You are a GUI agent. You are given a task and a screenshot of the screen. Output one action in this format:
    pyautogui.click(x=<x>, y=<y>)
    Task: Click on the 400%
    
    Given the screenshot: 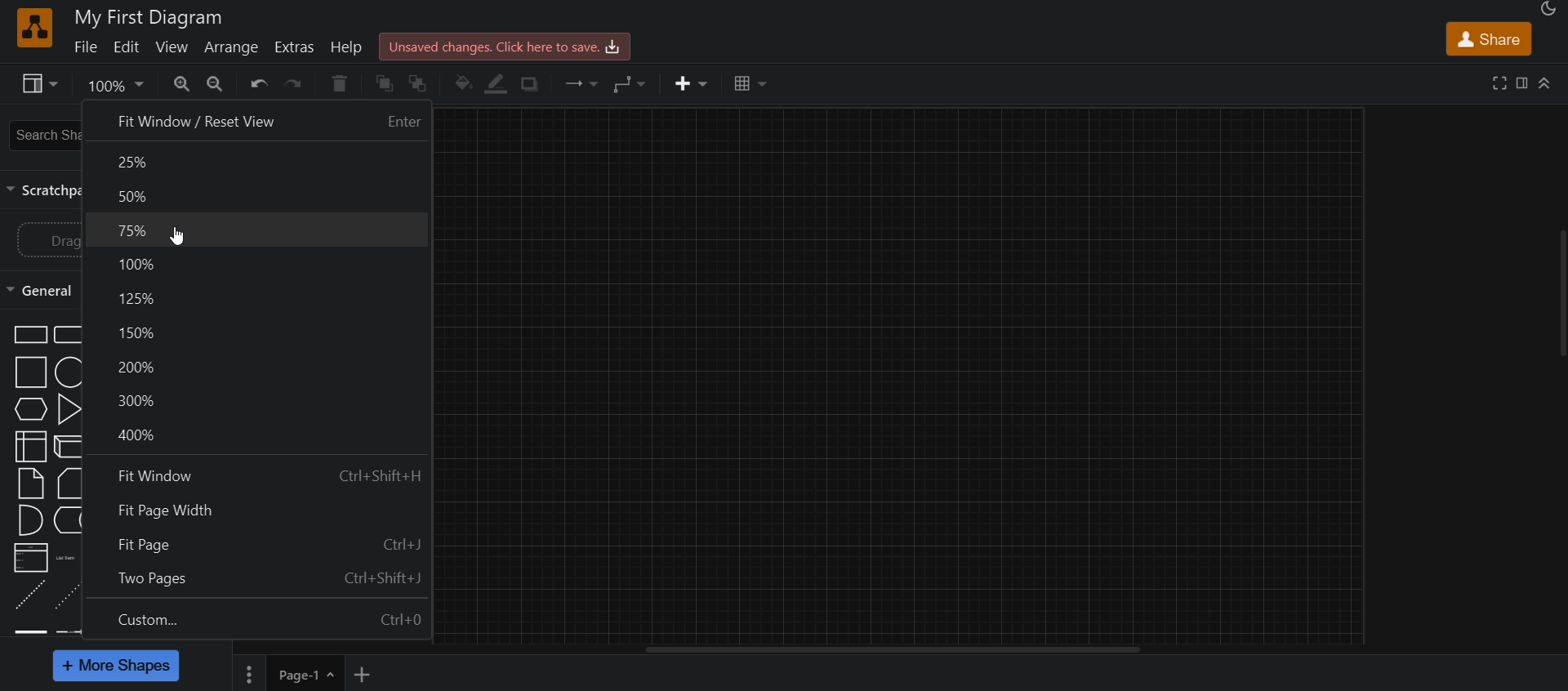 What is the action you would take?
    pyautogui.click(x=261, y=437)
    